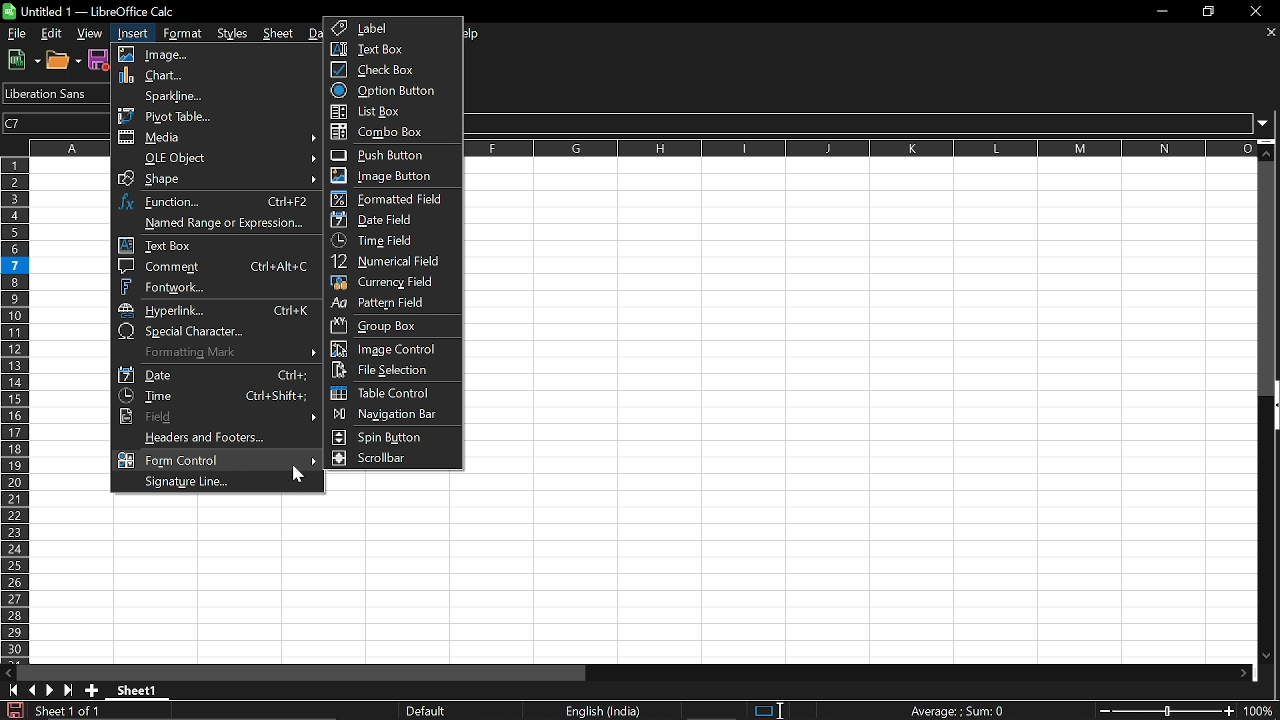 The height and width of the screenshot is (720, 1280). I want to click on date, so click(215, 375).